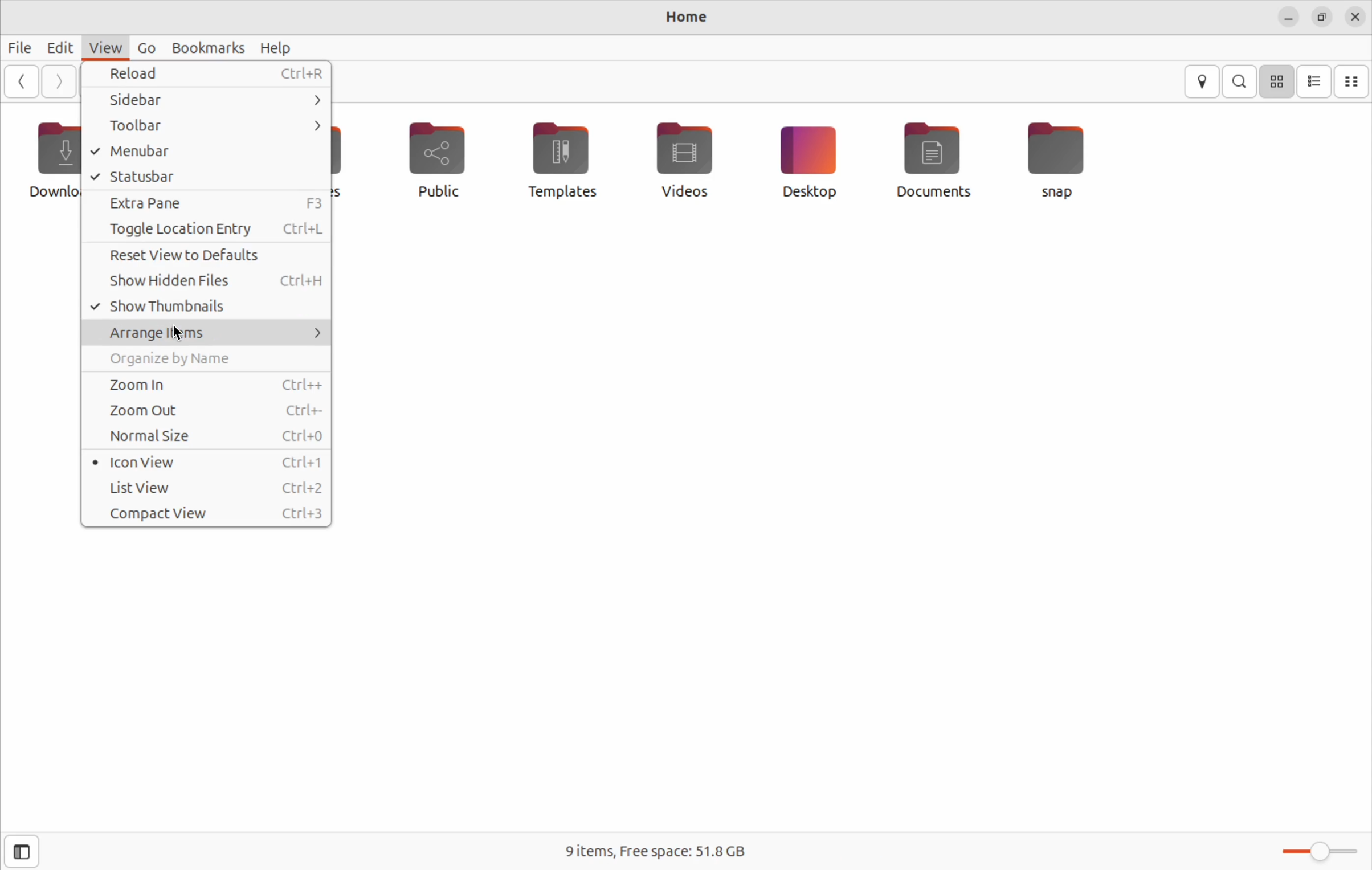  What do you see at coordinates (276, 47) in the screenshot?
I see `help` at bounding box center [276, 47].